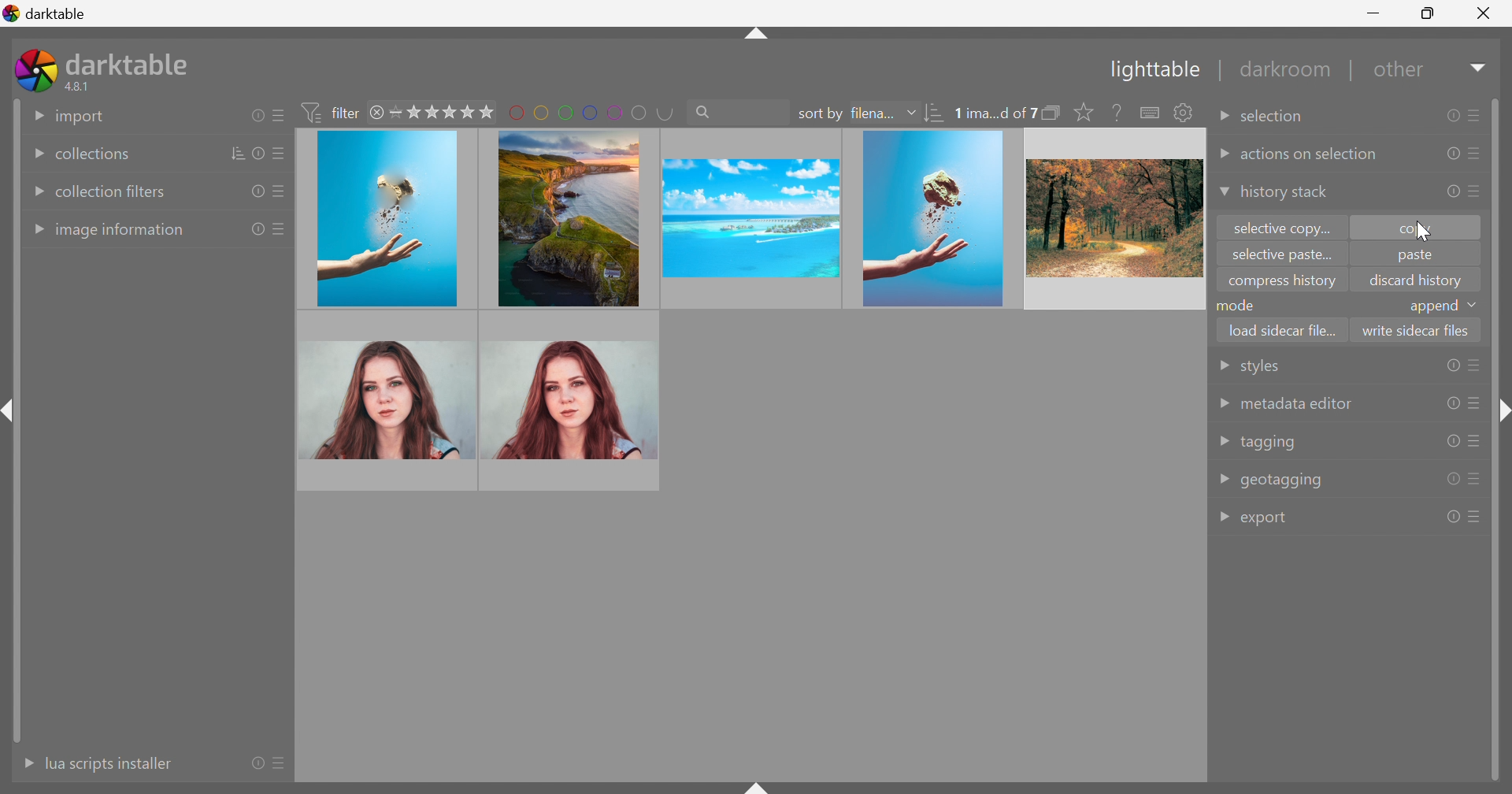  Describe the element at coordinates (334, 112) in the screenshot. I see `filter` at that location.